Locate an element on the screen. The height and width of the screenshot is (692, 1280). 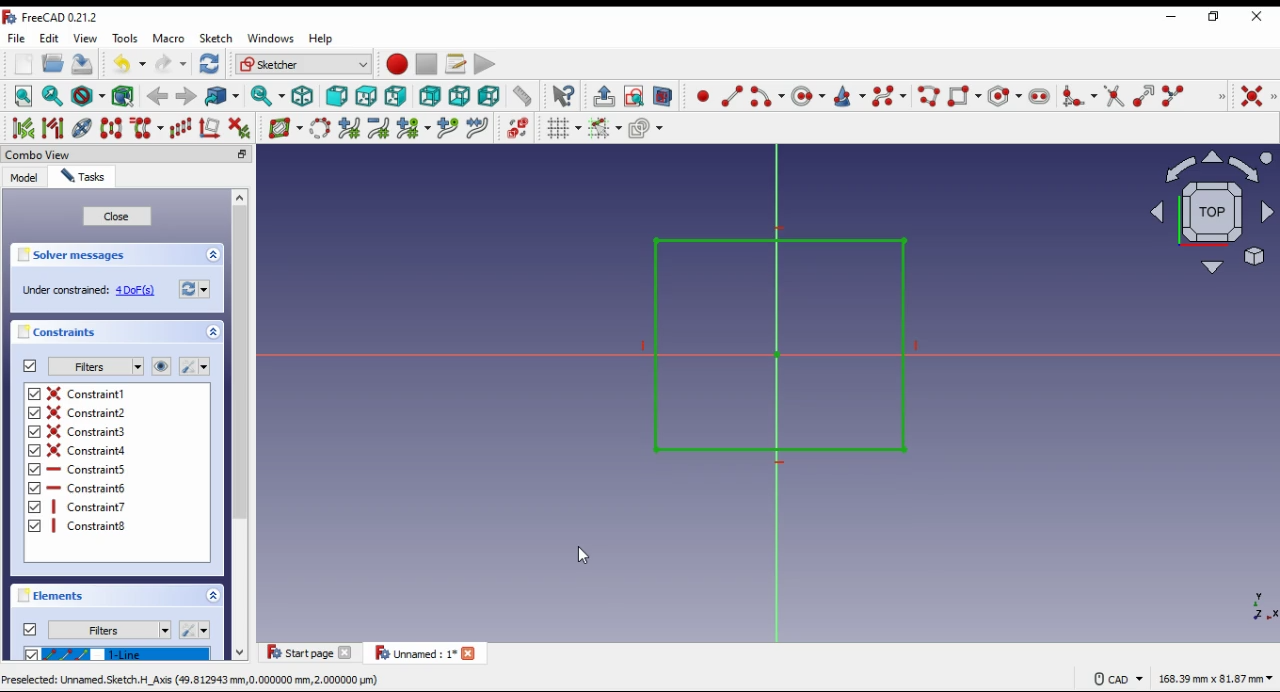
settings is located at coordinates (194, 366).